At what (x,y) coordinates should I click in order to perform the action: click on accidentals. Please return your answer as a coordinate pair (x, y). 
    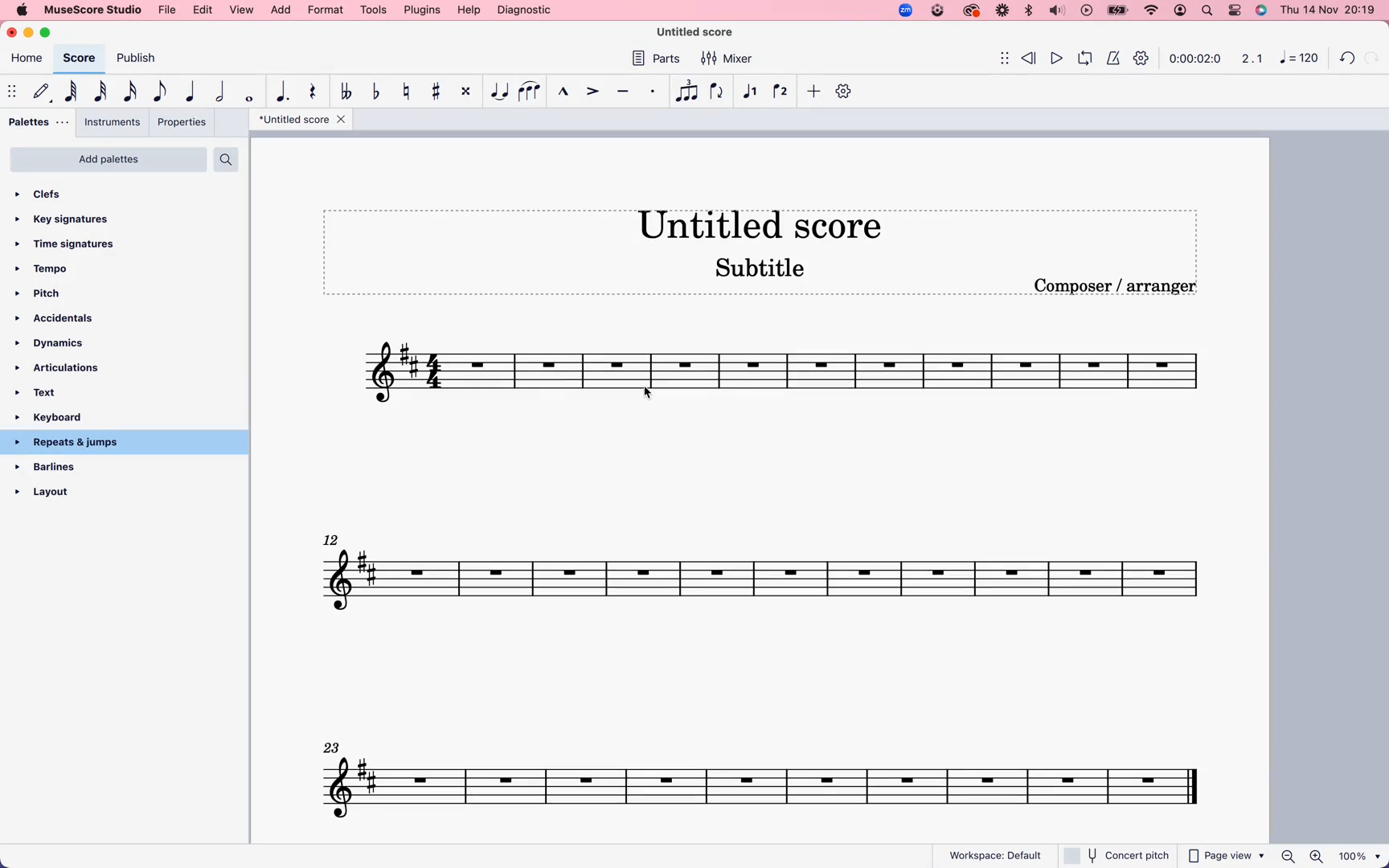
    Looking at the image, I should click on (59, 318).